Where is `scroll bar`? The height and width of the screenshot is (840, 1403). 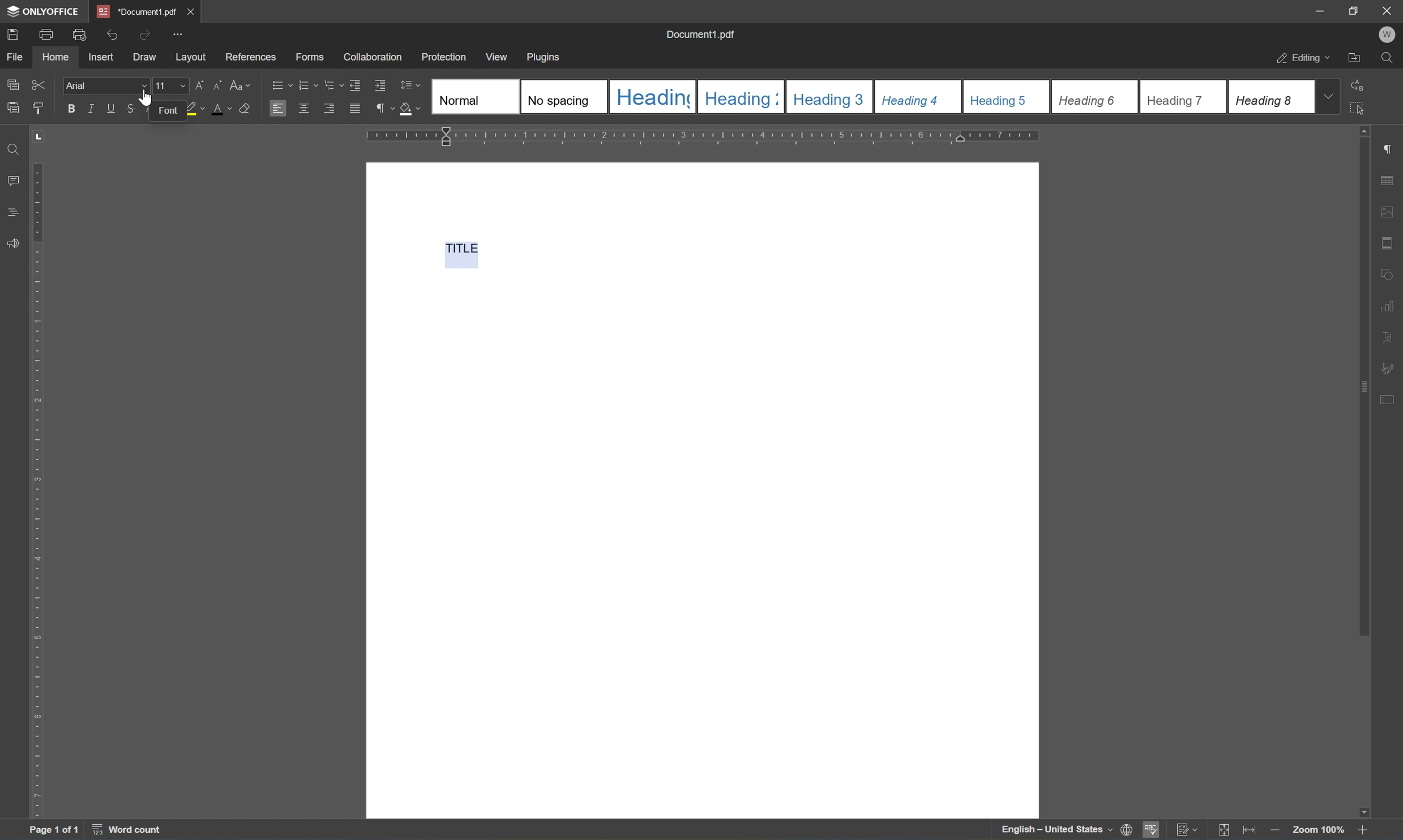 scroll bar is located at coordinates (1363, 381).